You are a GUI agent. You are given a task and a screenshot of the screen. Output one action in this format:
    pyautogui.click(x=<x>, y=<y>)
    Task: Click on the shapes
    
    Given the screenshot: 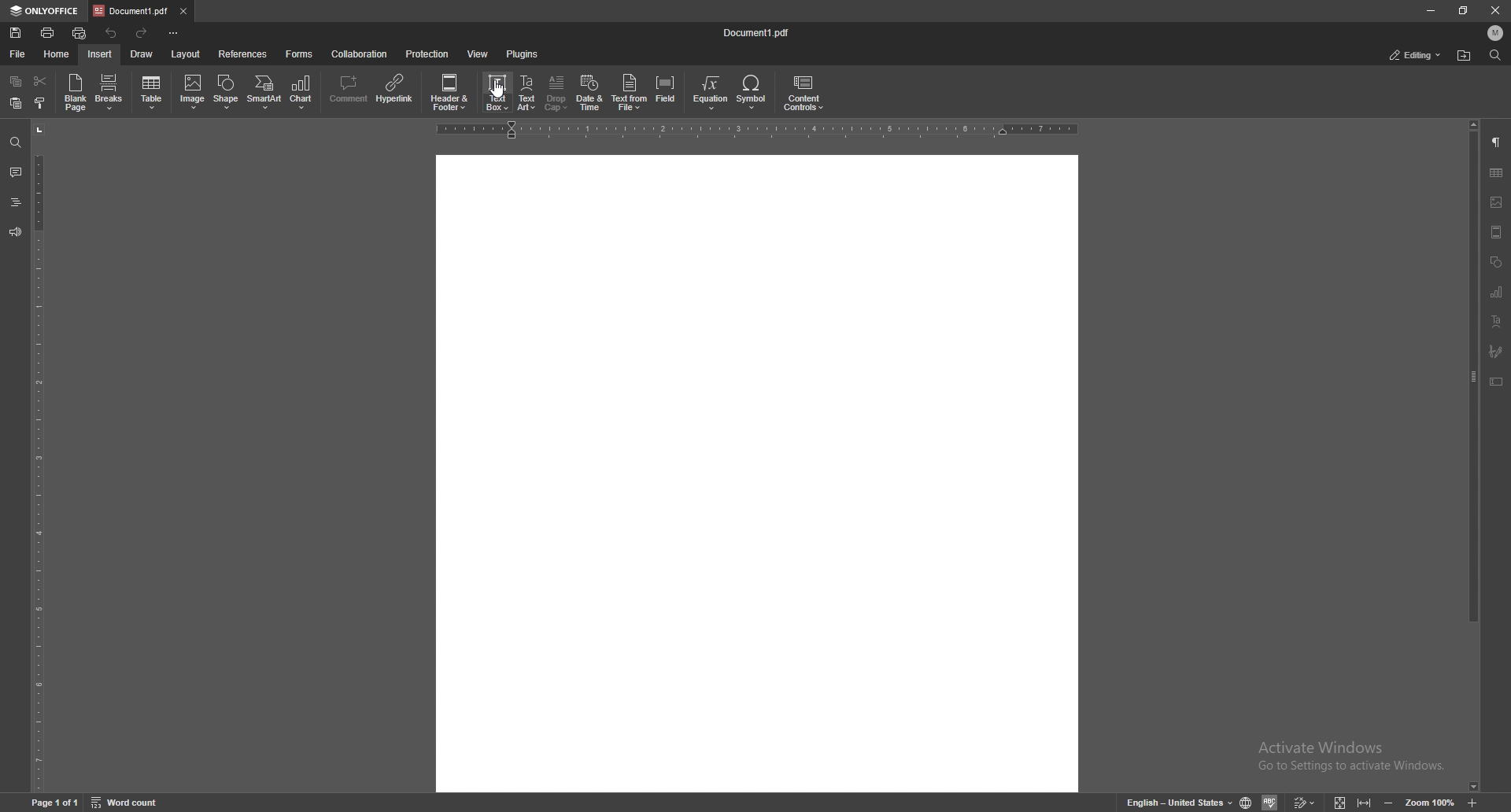 What is the action you would take?
    pyautogui.click(x=1496, y=262)
    